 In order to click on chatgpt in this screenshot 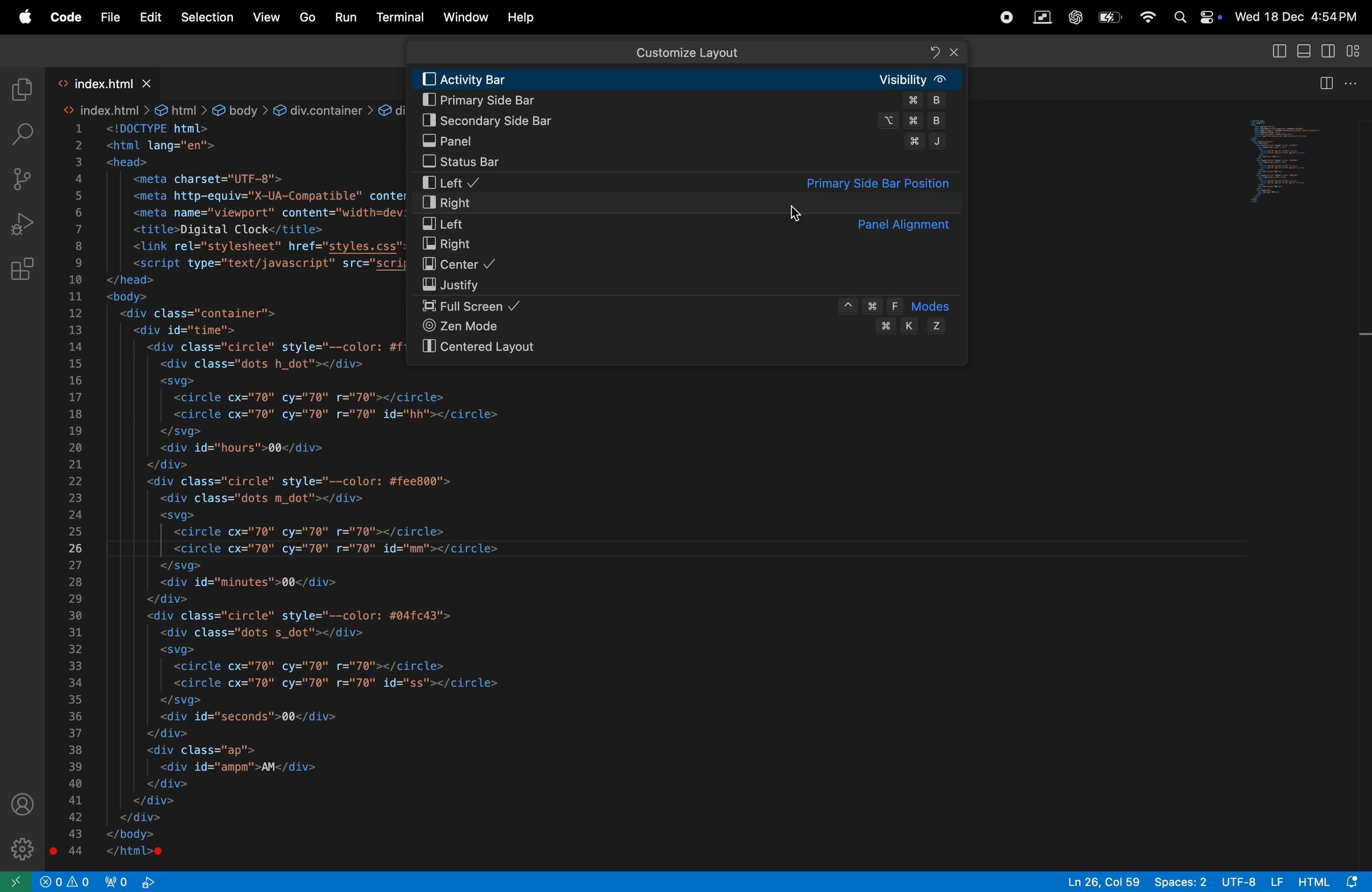, I will do `click(1076, 18)`.